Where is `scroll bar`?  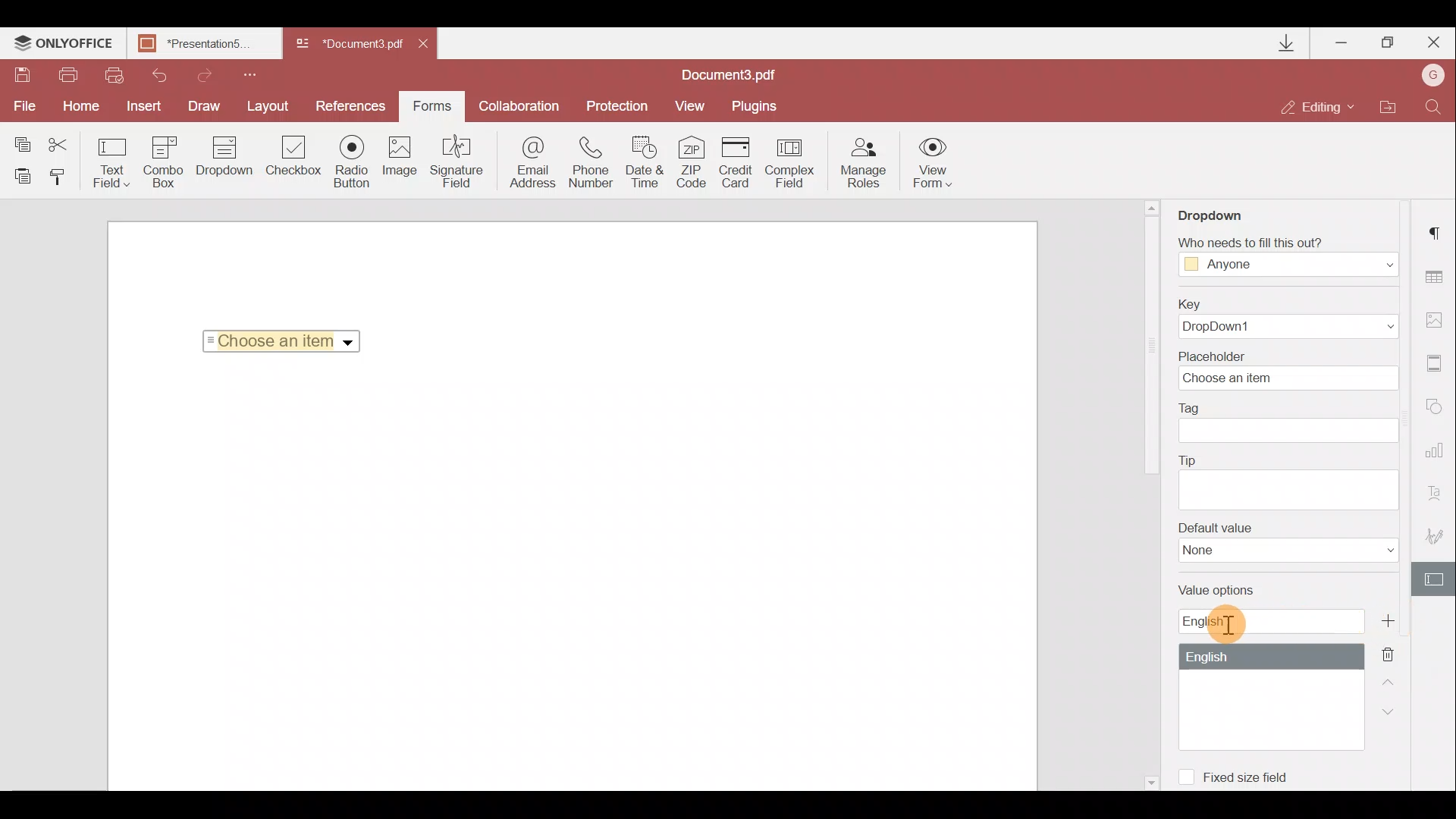 scroll bar is located at coordinates (1150, 348).